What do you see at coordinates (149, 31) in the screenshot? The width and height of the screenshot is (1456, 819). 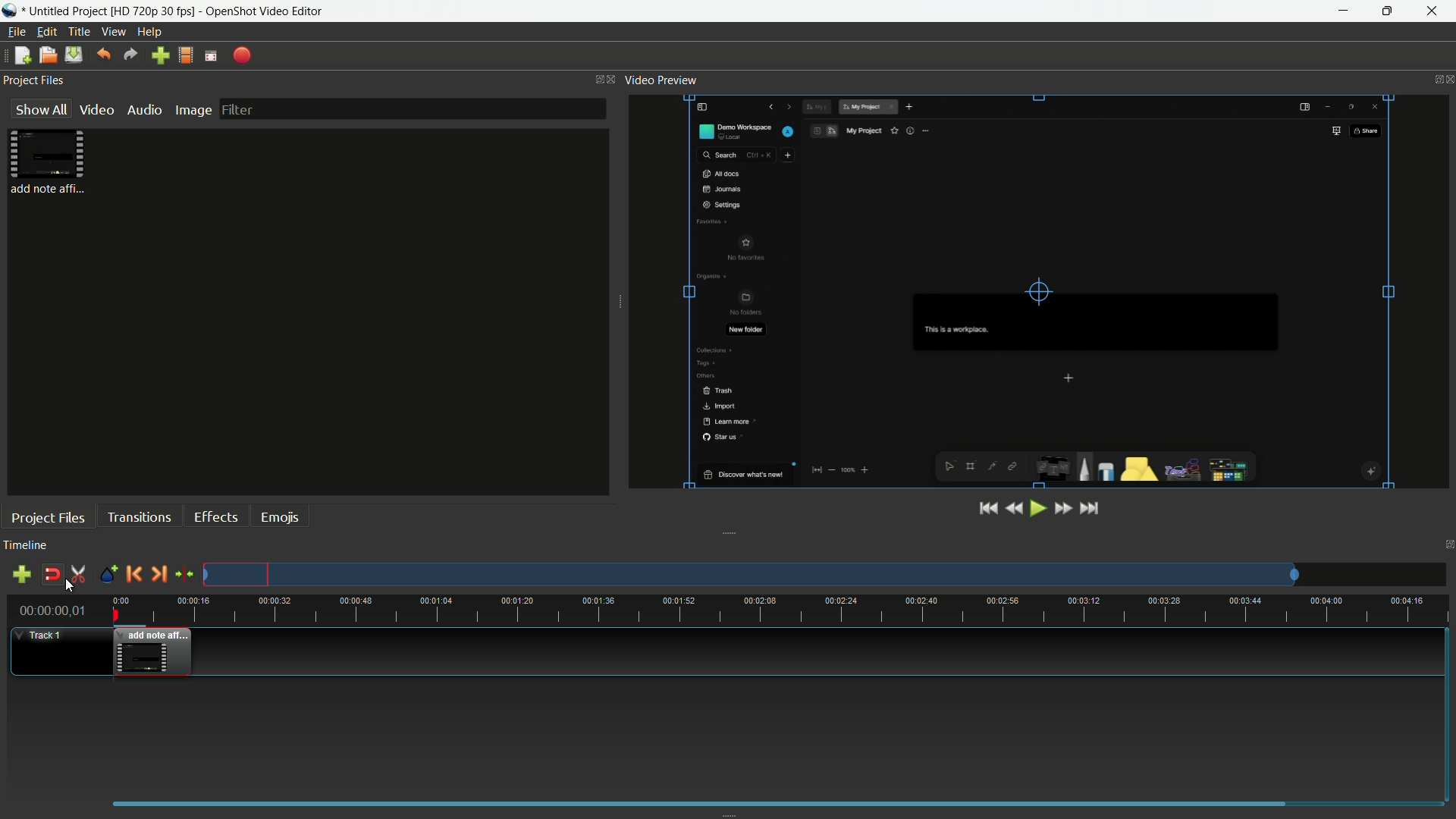 I see `help menu` at bounding box center [149, 31].